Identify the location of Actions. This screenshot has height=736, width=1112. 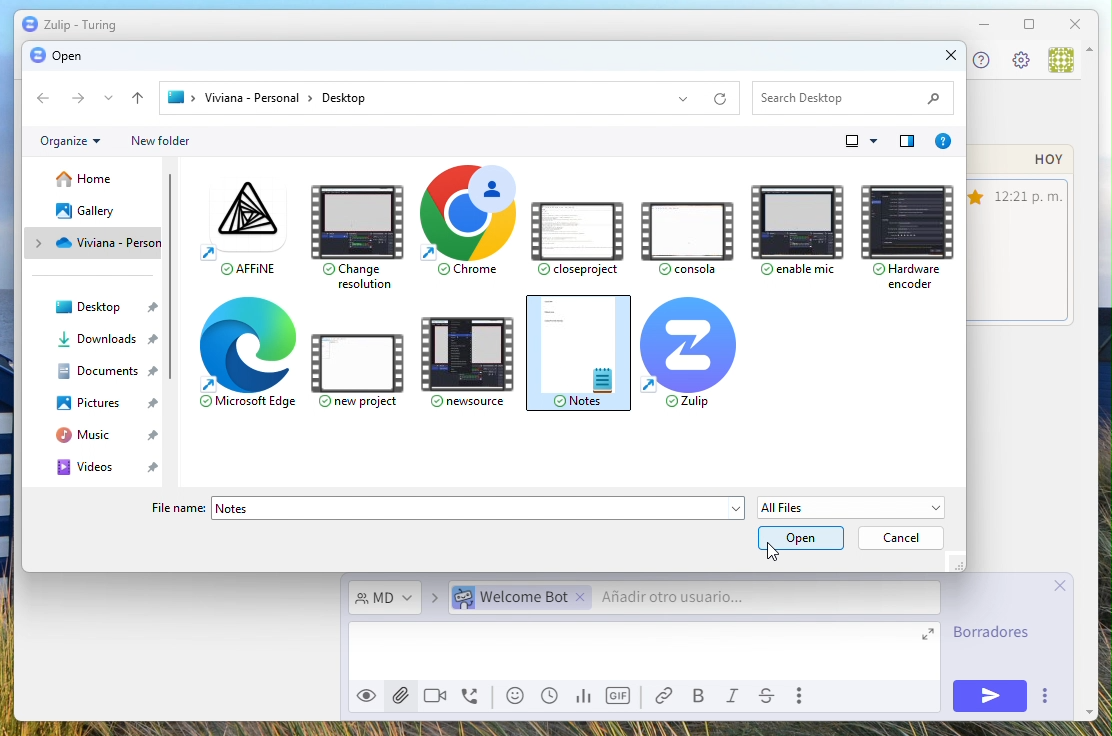
(89, 100).